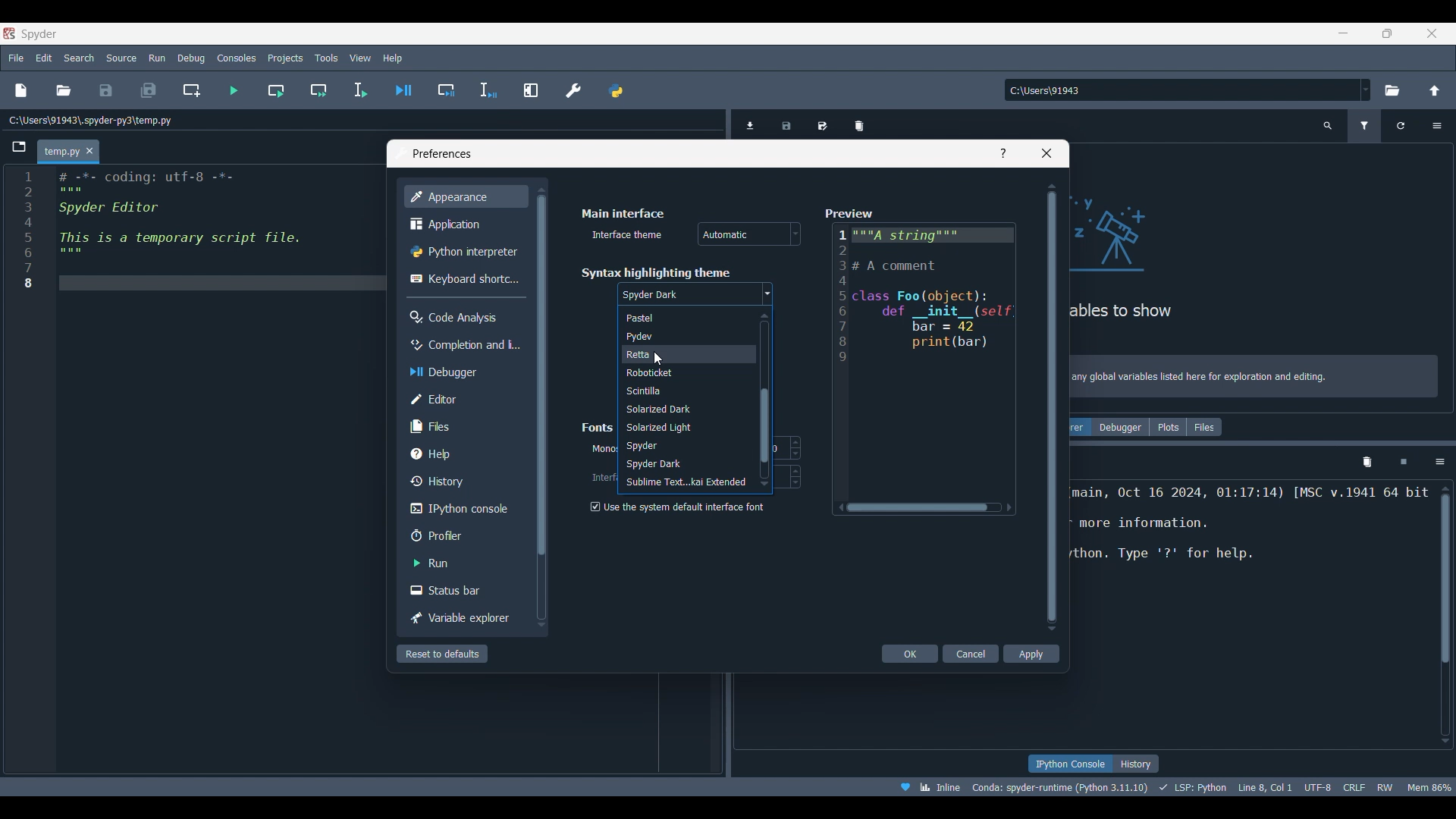 The height and width of the screenshot is (819, 1456). What do you see at coordinates (1319, 785) in the screenshot?
I see `utf-8` at bounding box center [1319, 785].